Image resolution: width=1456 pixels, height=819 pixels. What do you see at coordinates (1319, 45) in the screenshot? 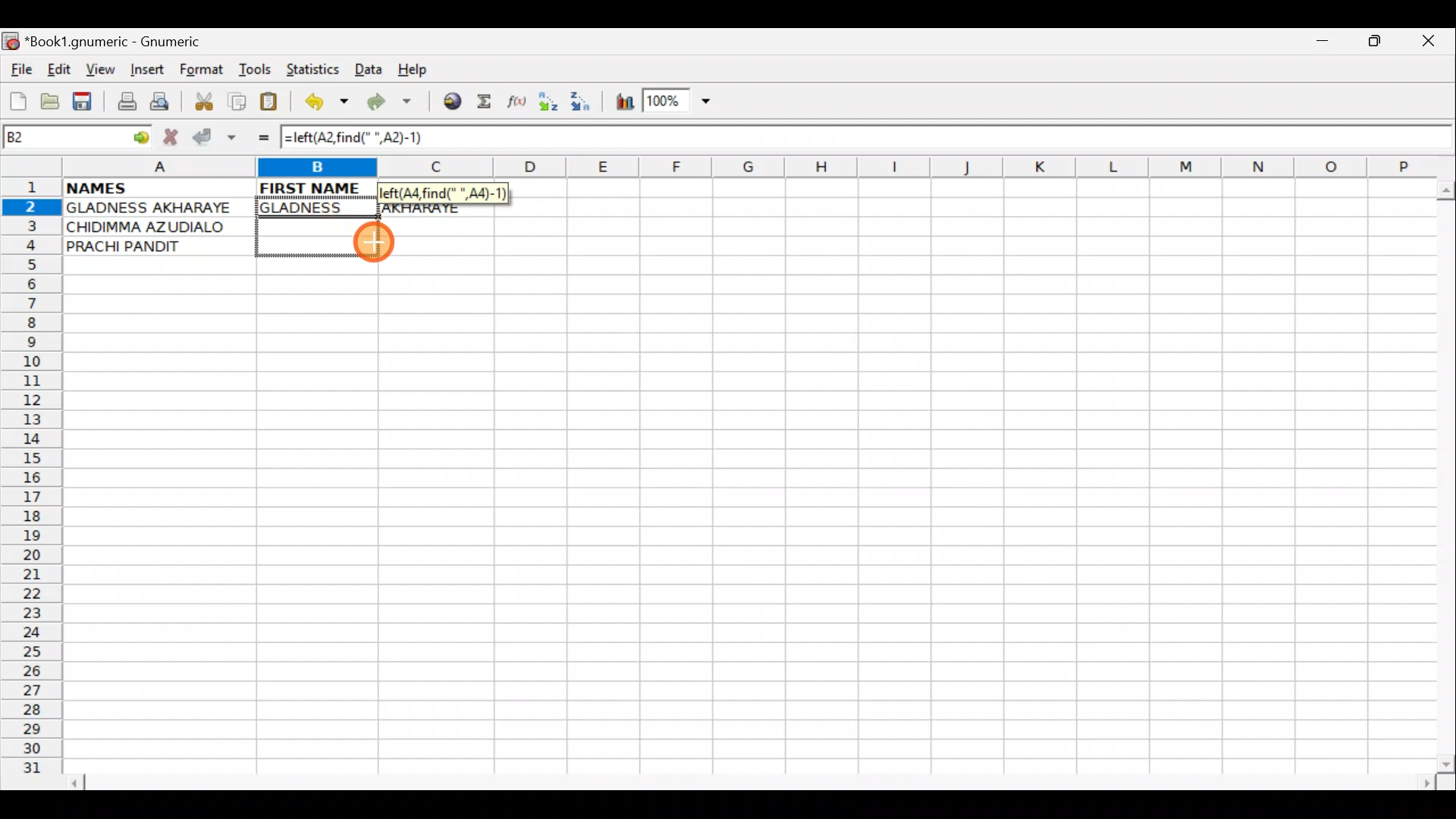
I see `Minimize` at bounding box center [1319, 45].